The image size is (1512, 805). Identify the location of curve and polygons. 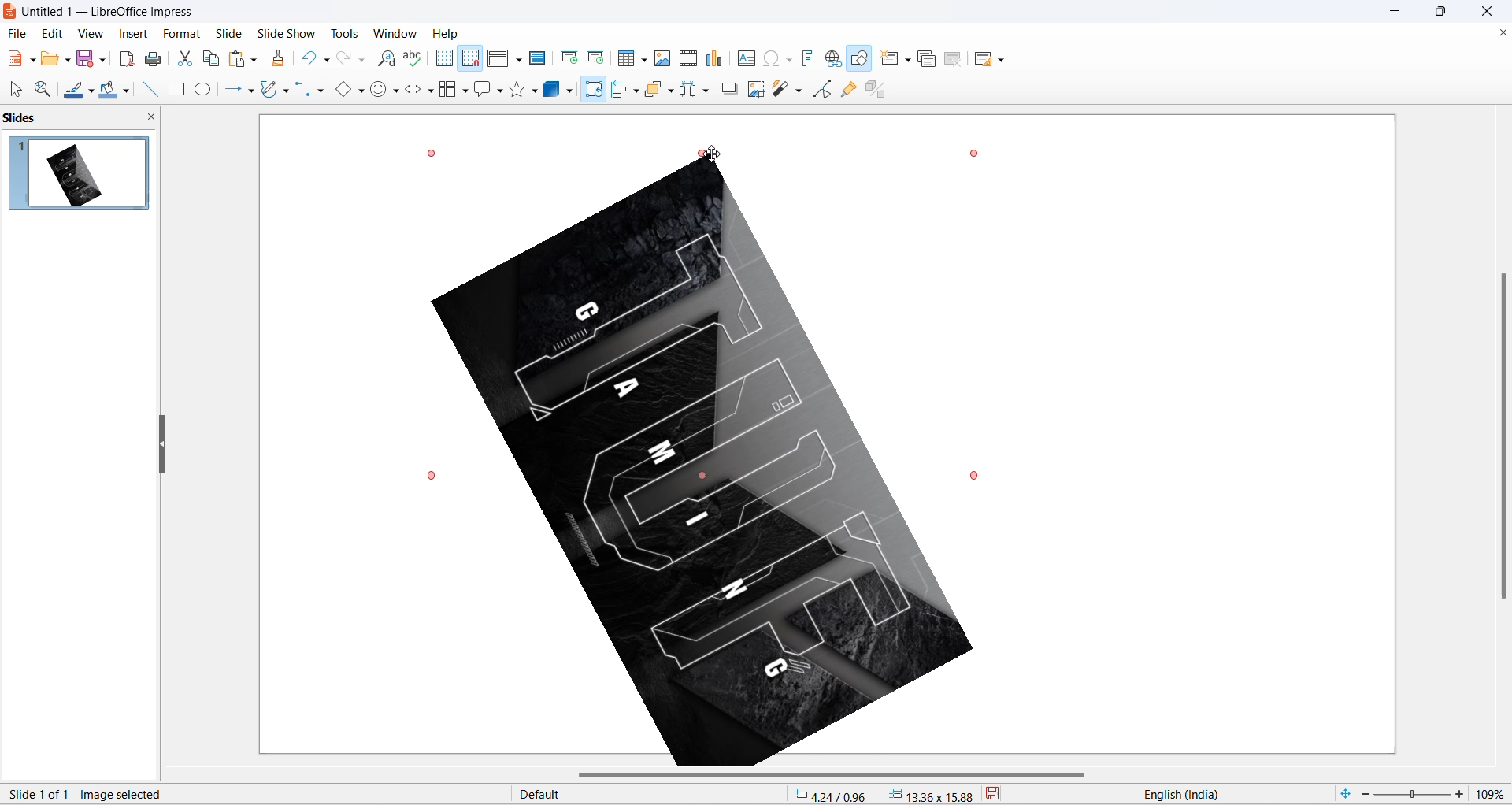
(270, 91).